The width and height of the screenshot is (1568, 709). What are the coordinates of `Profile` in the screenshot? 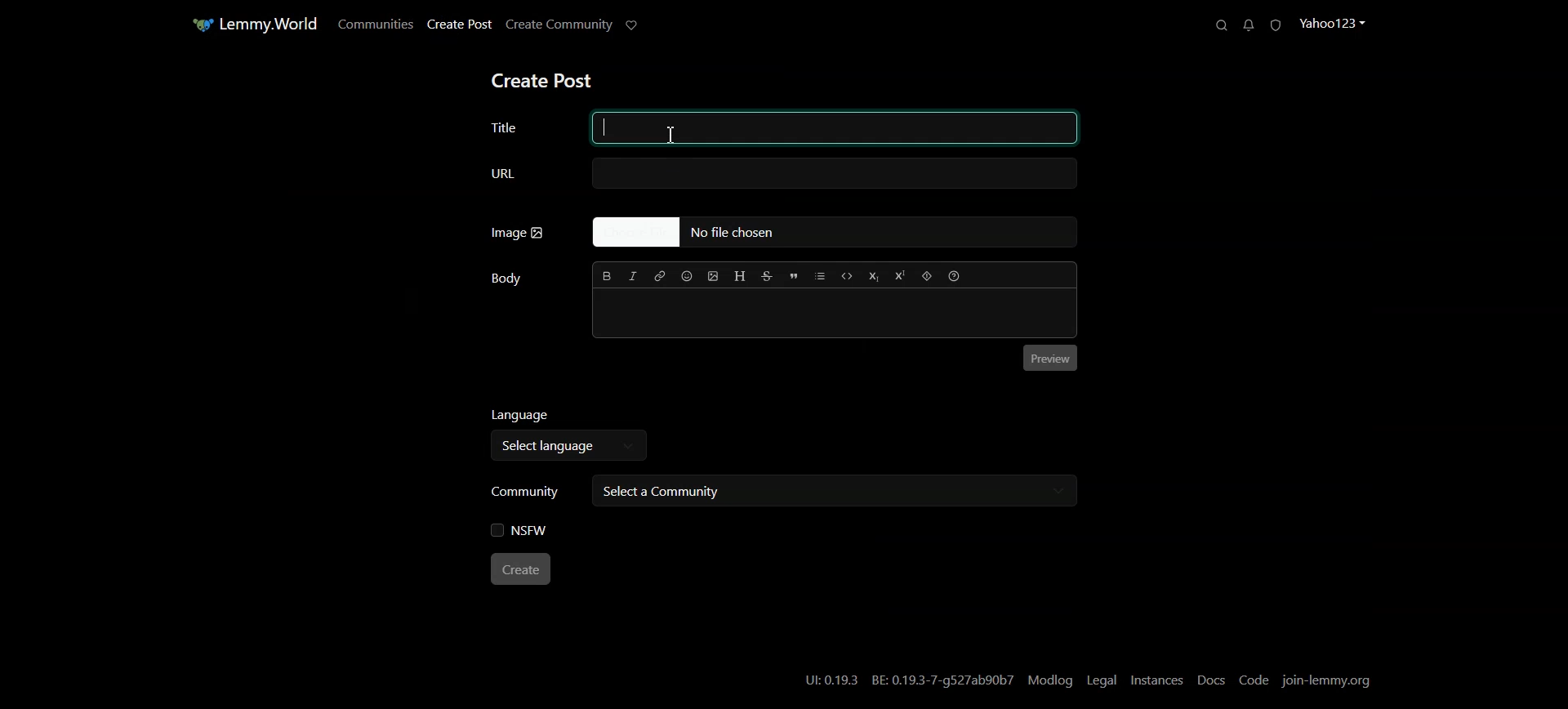 It's located at (1337, 23).